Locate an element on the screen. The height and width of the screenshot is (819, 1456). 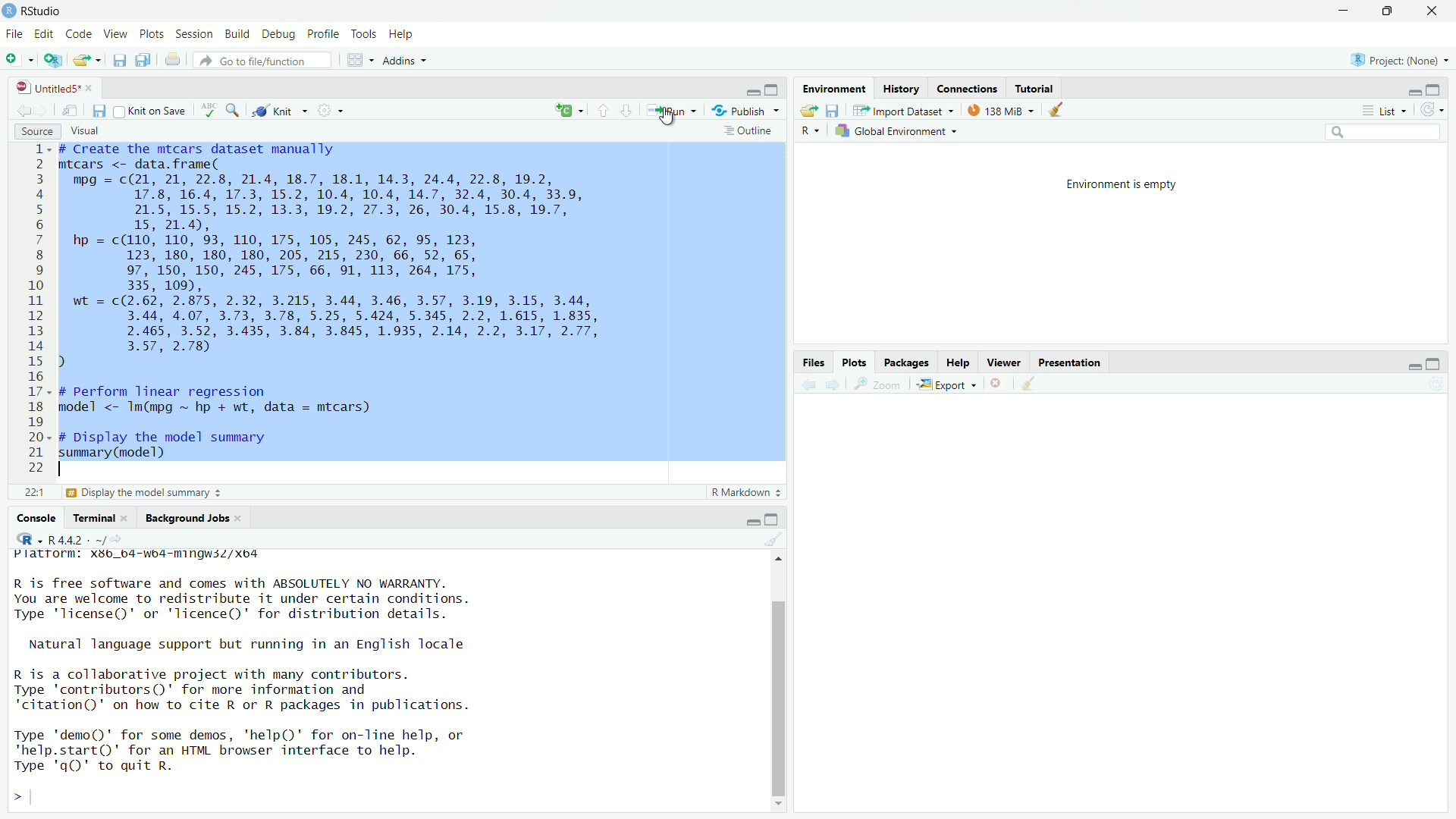
Environment is empty is located at coordinates (1123, 184).